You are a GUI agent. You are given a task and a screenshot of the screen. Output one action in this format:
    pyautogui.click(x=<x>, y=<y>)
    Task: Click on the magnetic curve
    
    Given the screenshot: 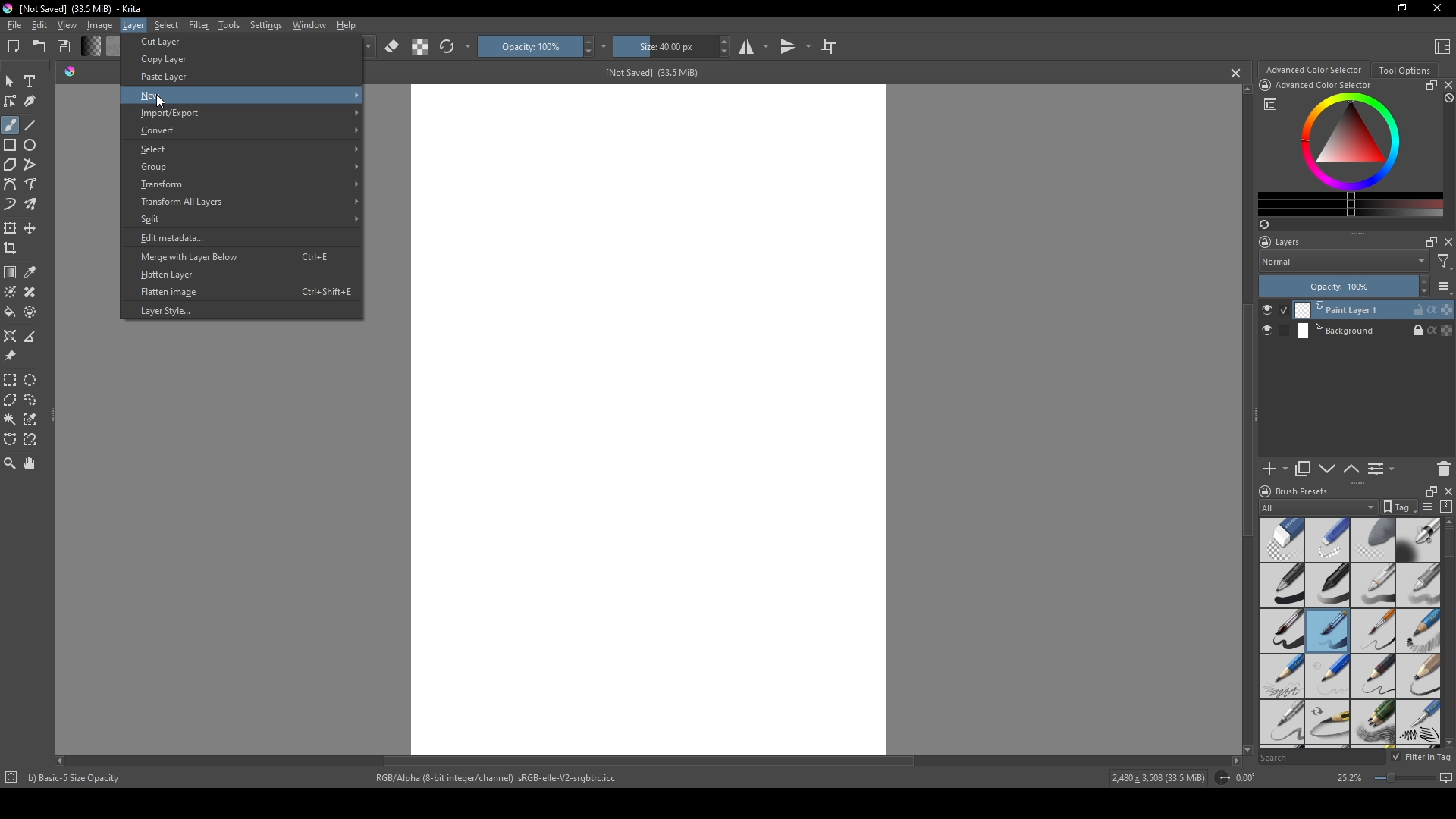 What is the action you would take?
    pyautogui.click(x=32, y=441)
    